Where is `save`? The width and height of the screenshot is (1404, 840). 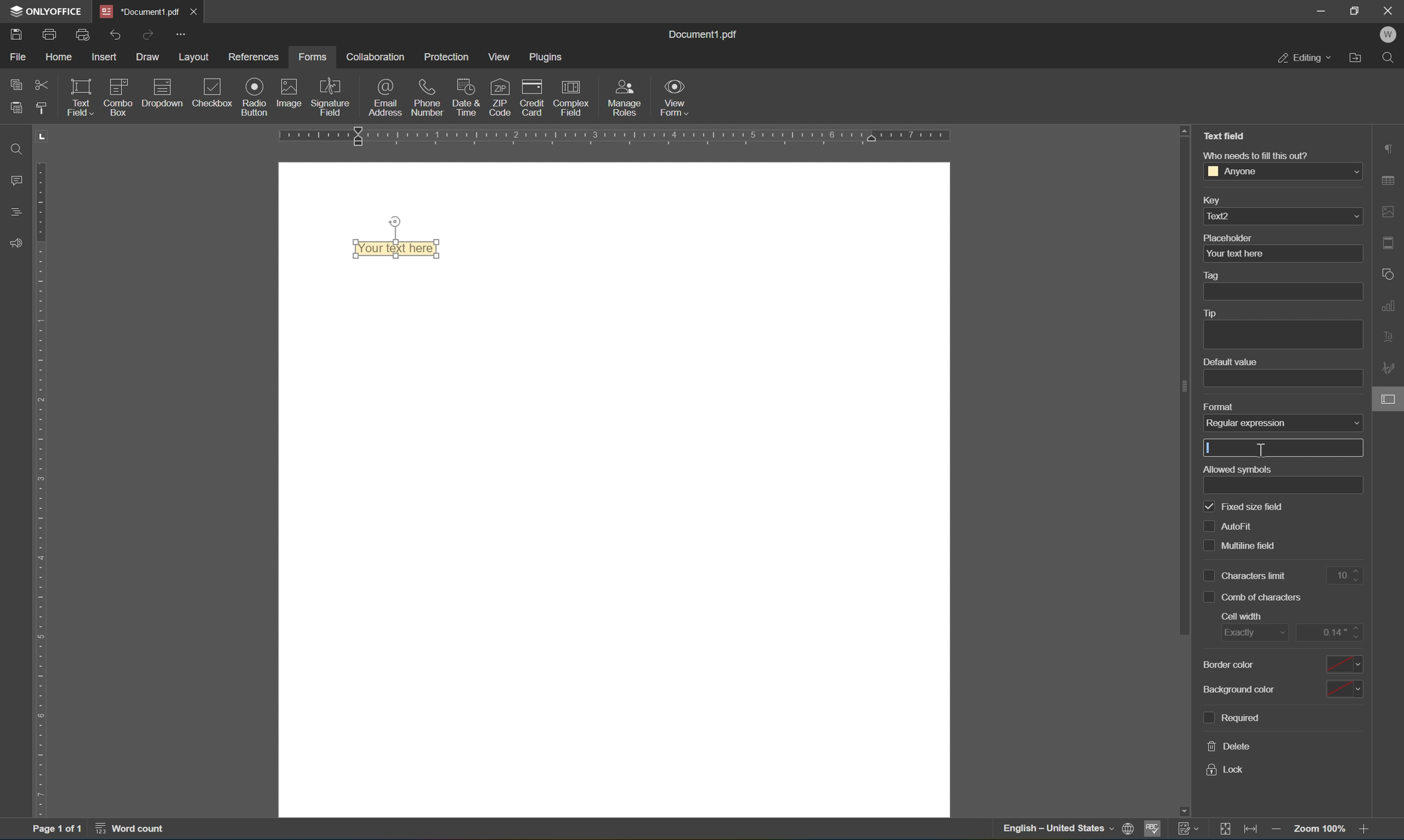 save is located at coordinates (17, 36).